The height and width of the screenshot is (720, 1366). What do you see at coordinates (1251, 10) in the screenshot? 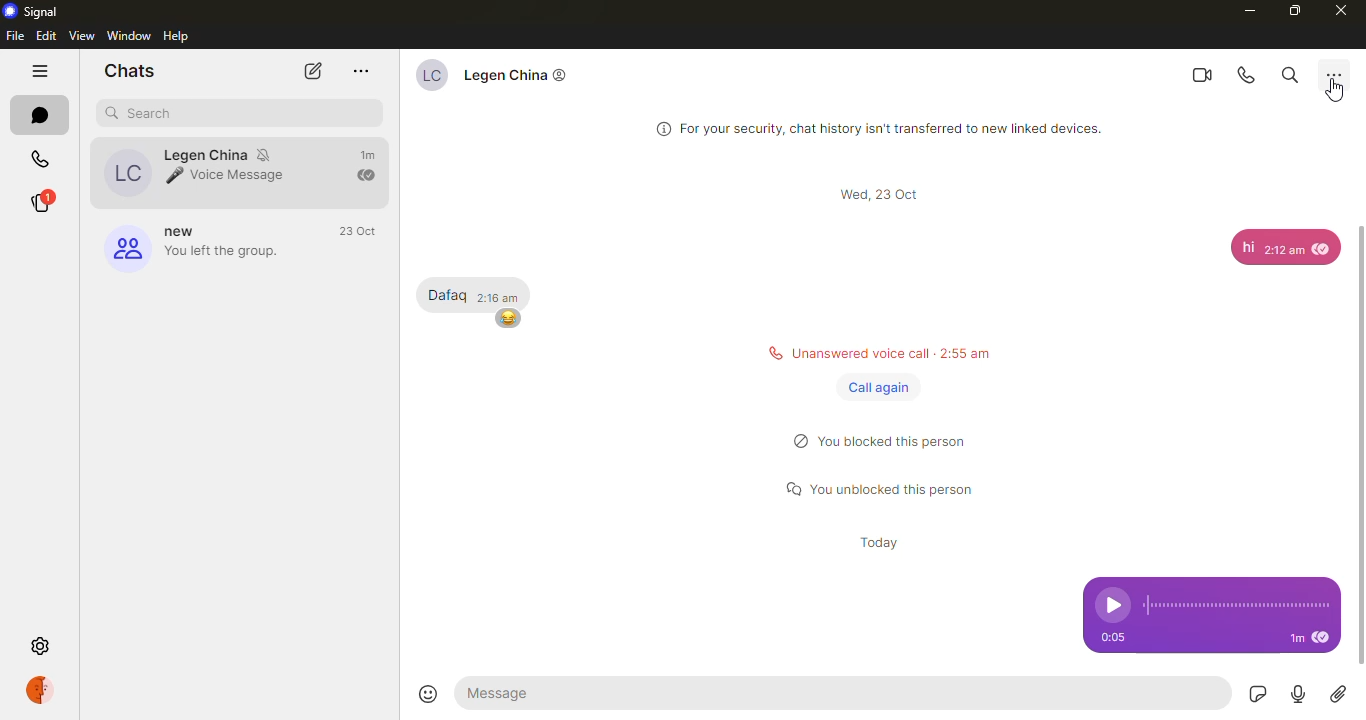
I see `minimize` at bounding box center [1251, 10].